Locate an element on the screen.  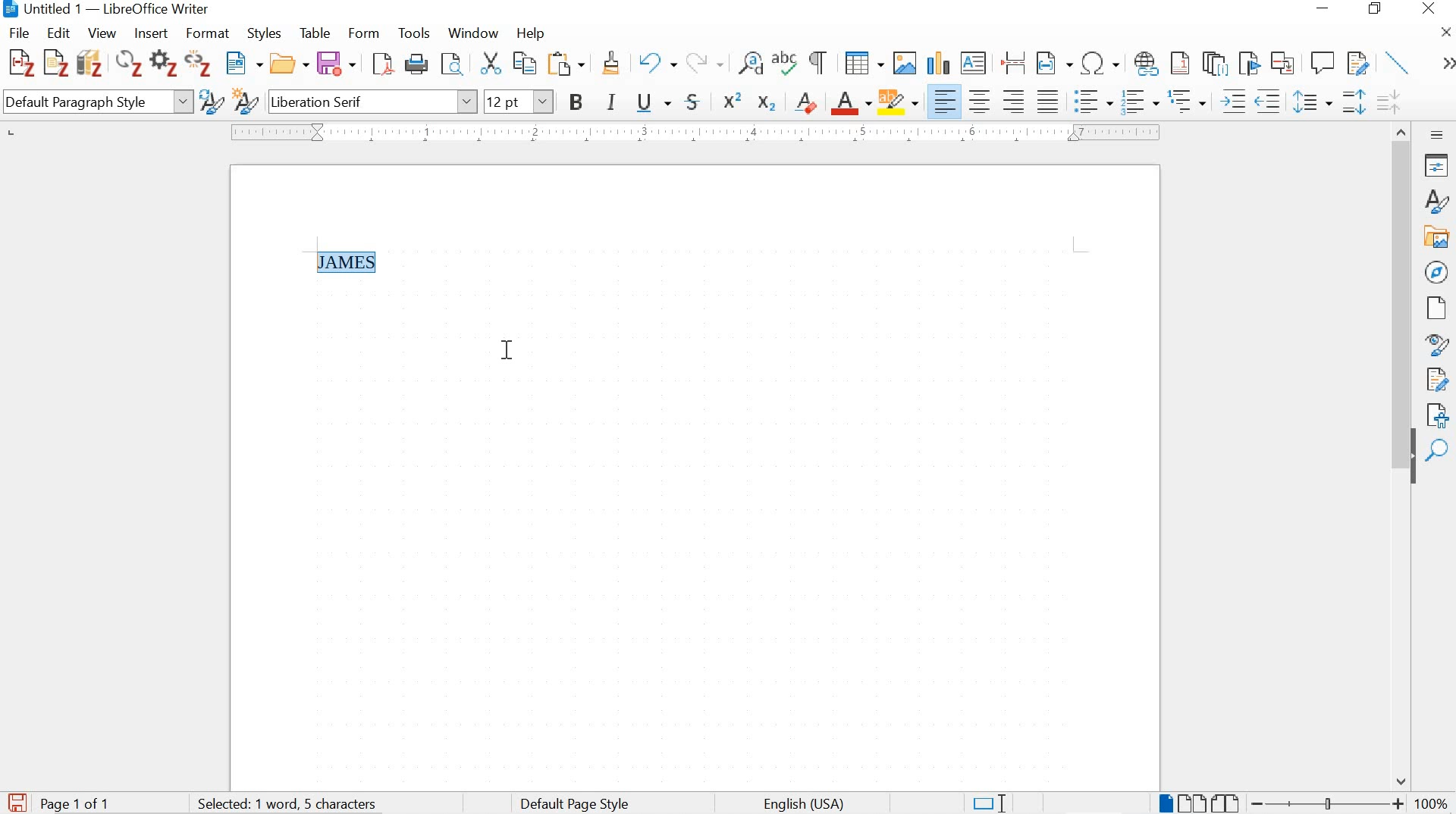
move down is located at coordinates (1402, 781).